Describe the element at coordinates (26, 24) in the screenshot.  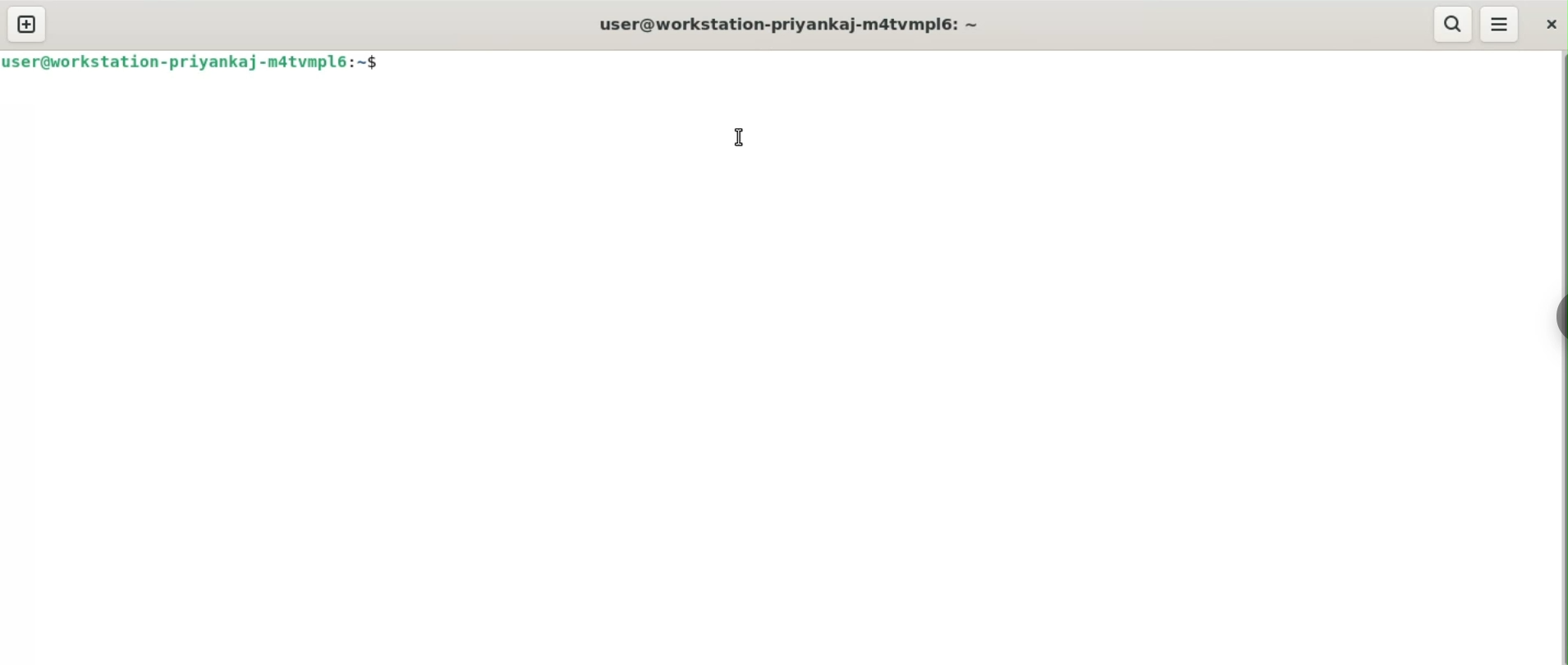
I see `new tab` at that location.